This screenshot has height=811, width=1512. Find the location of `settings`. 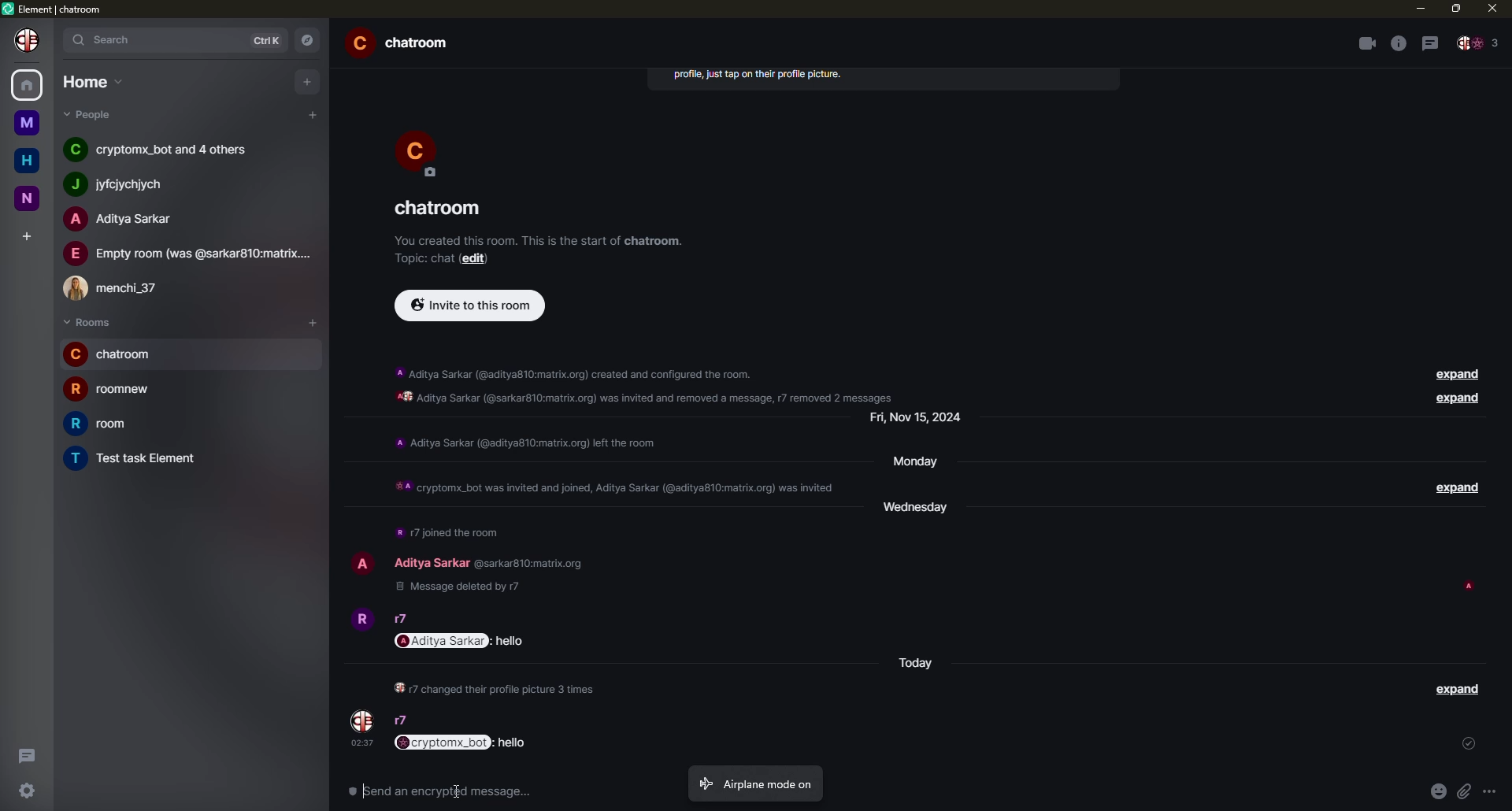

settings is located at coordinates (24, 792).